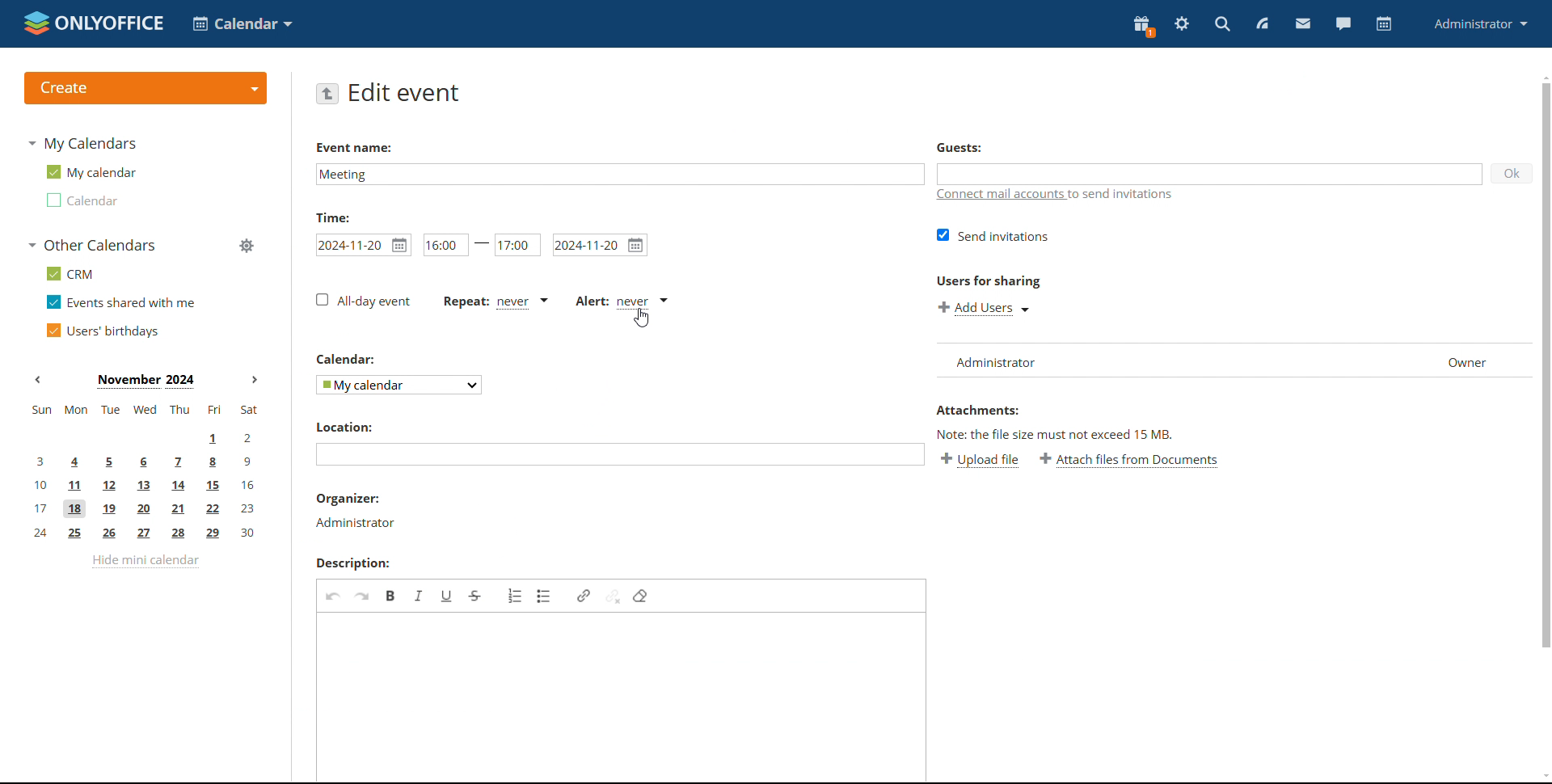  What do you see at coordinates (42, 380) in the screenshot?
I see `previous month` at bounding box center [42, 380].